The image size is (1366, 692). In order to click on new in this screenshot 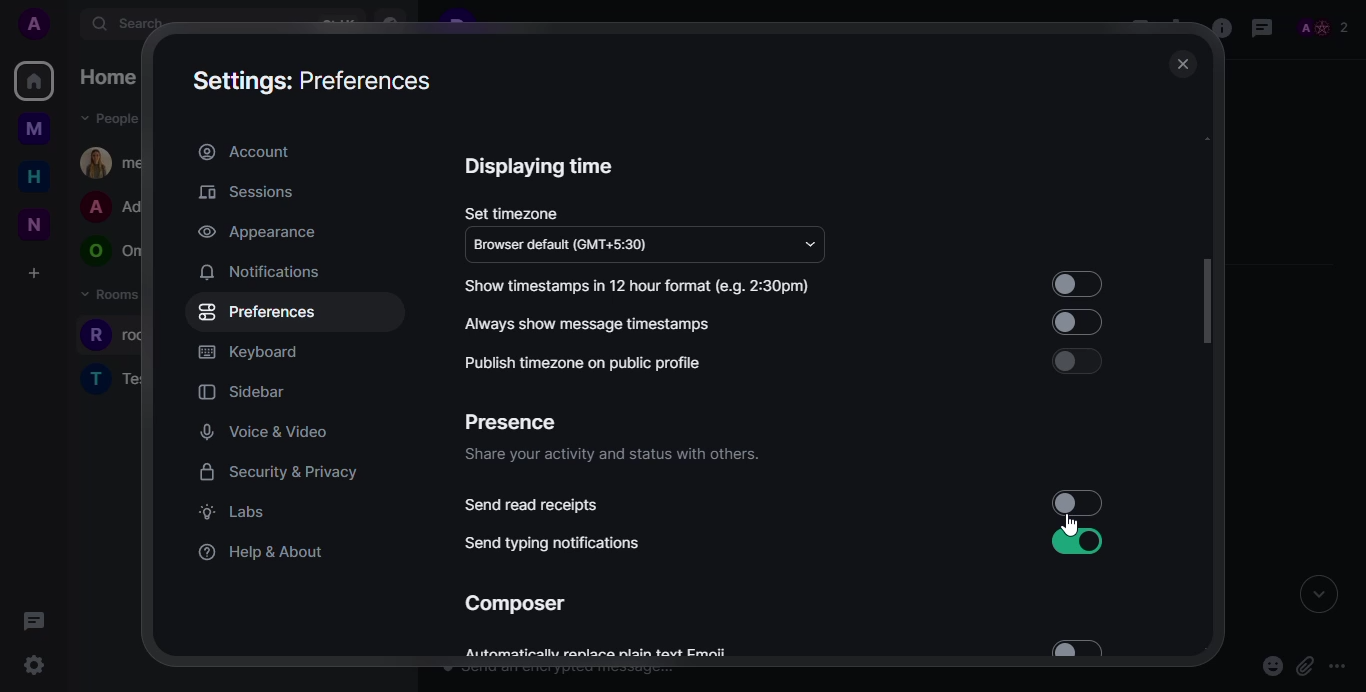, I will do `click(30, 222)`.